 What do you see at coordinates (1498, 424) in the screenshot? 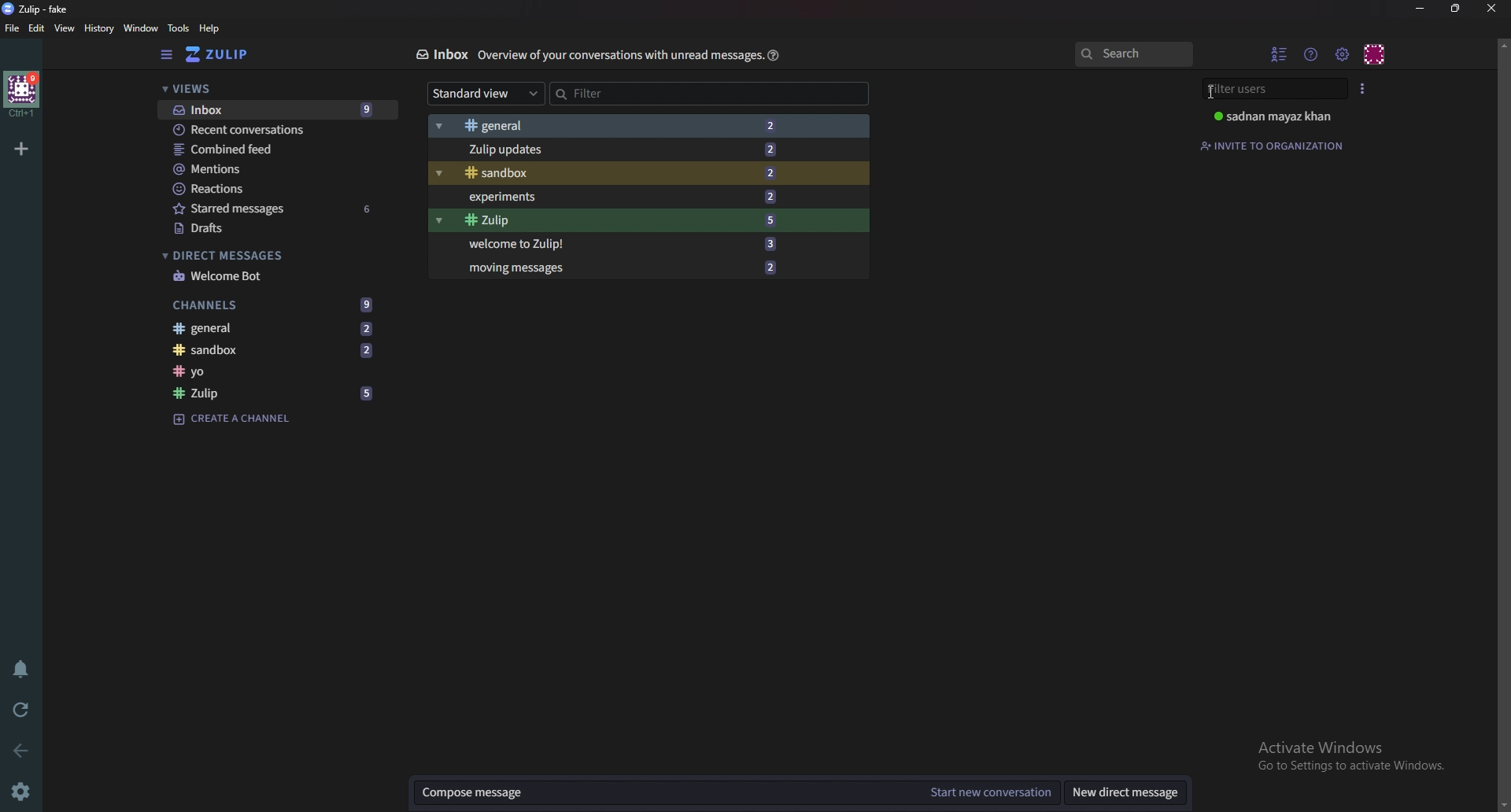
I see `Scroll bar` at bounding box center [1498, 424].